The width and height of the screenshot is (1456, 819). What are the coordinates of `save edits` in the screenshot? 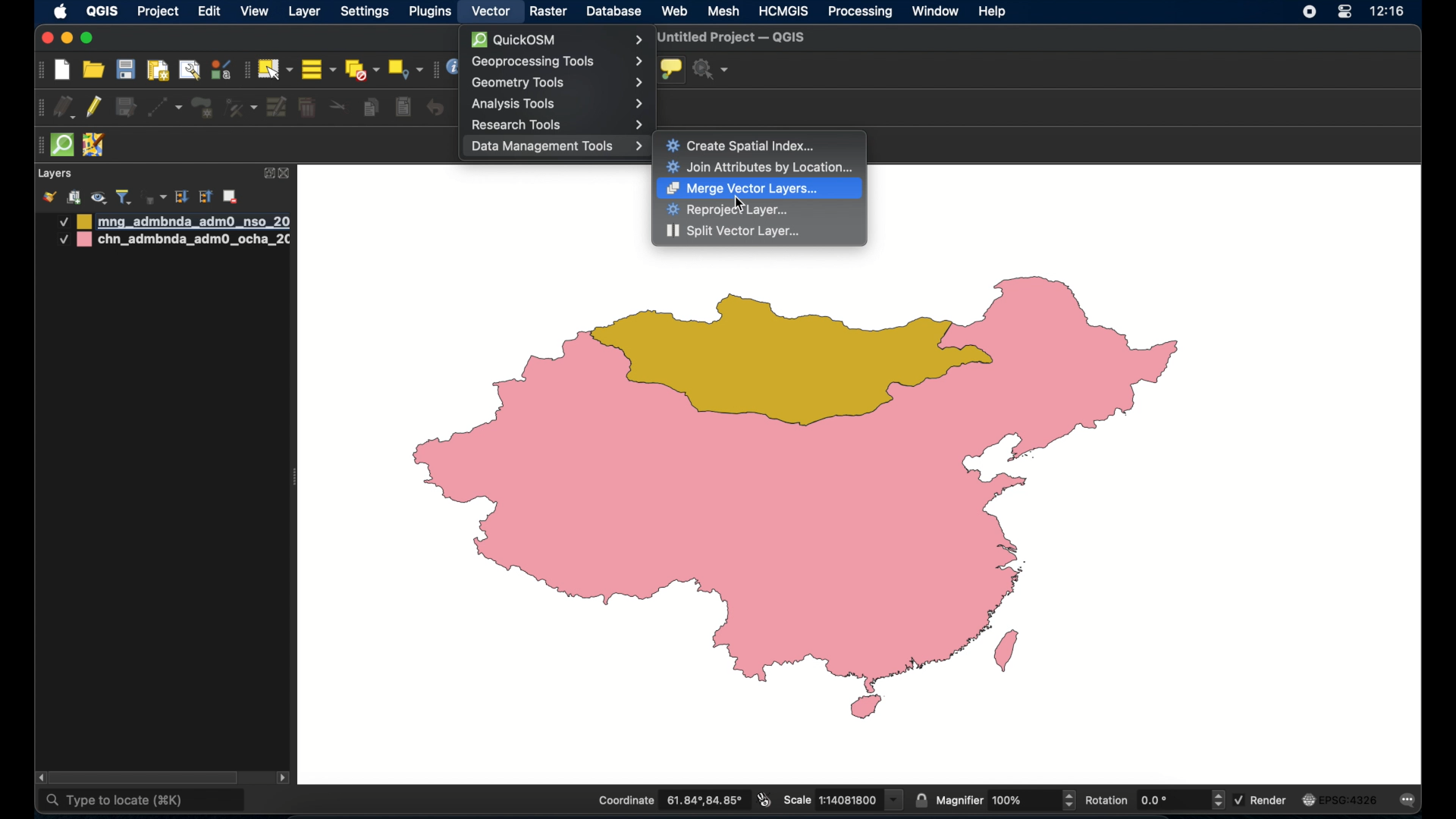 It's located at (125, 108).